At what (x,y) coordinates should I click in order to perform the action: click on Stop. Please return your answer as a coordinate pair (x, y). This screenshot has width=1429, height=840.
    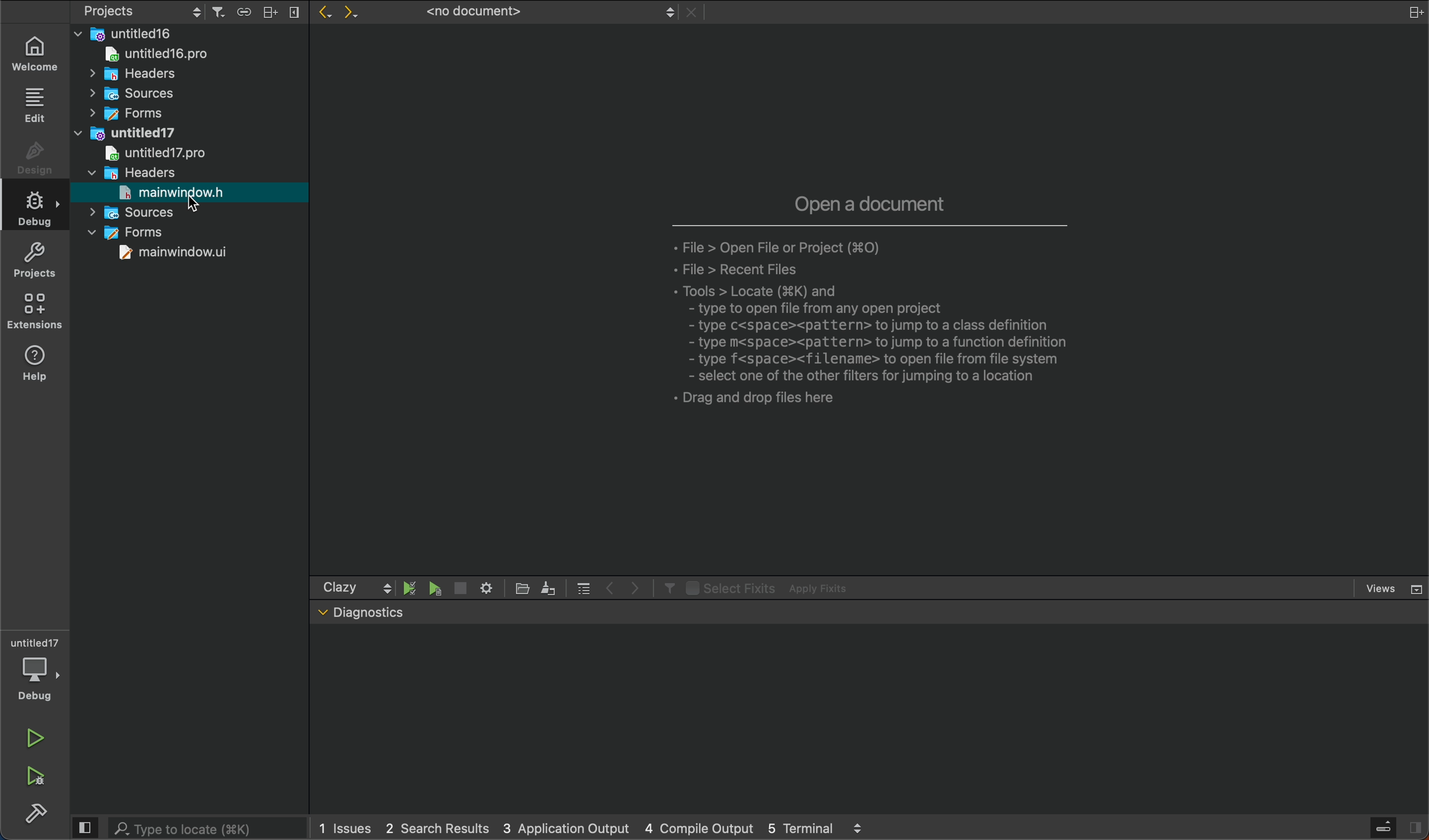
    Looking at the image, I should click on (459, 588).